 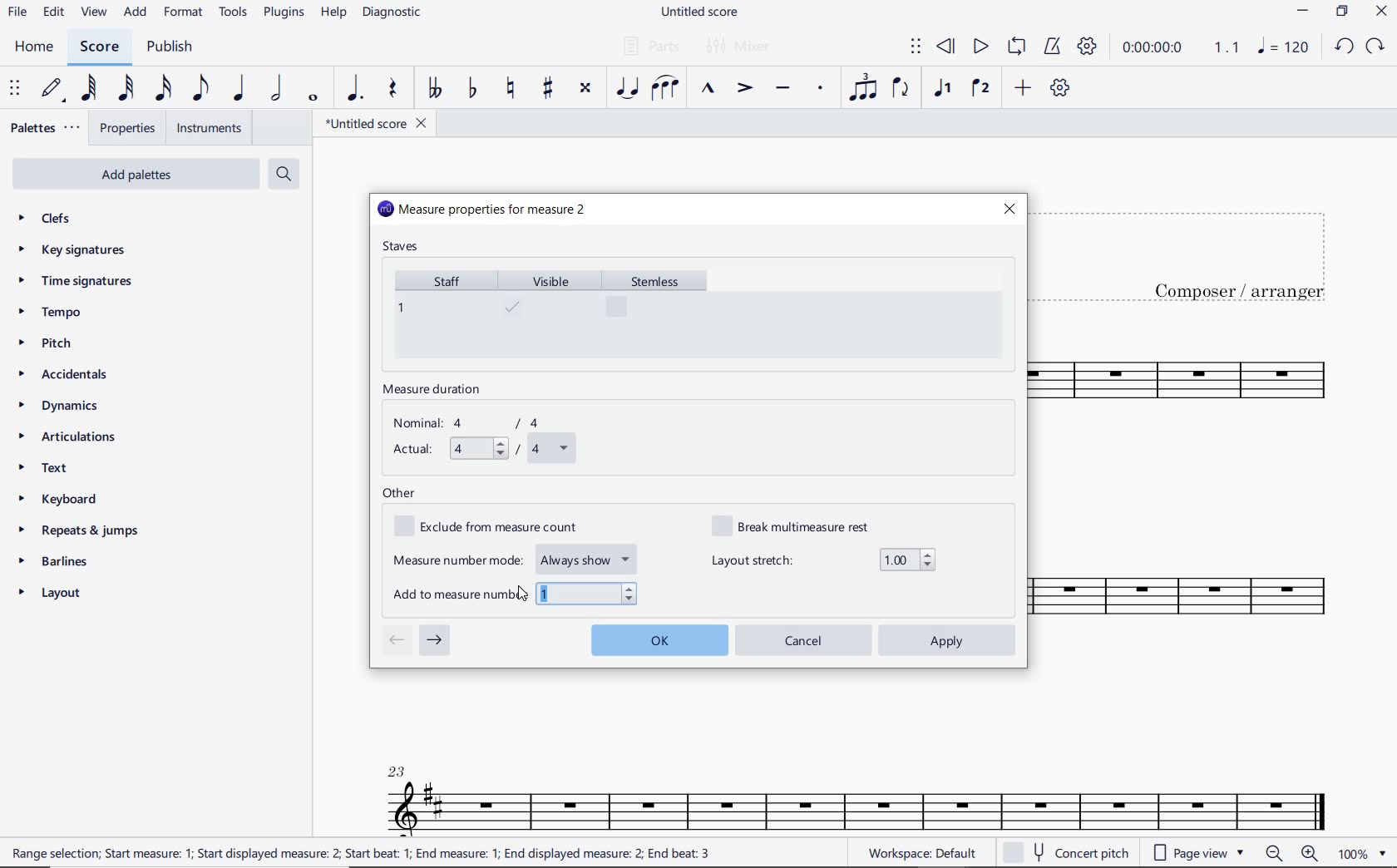 I want to click on RESTORE DOWN, so click(x=1342, y=13).